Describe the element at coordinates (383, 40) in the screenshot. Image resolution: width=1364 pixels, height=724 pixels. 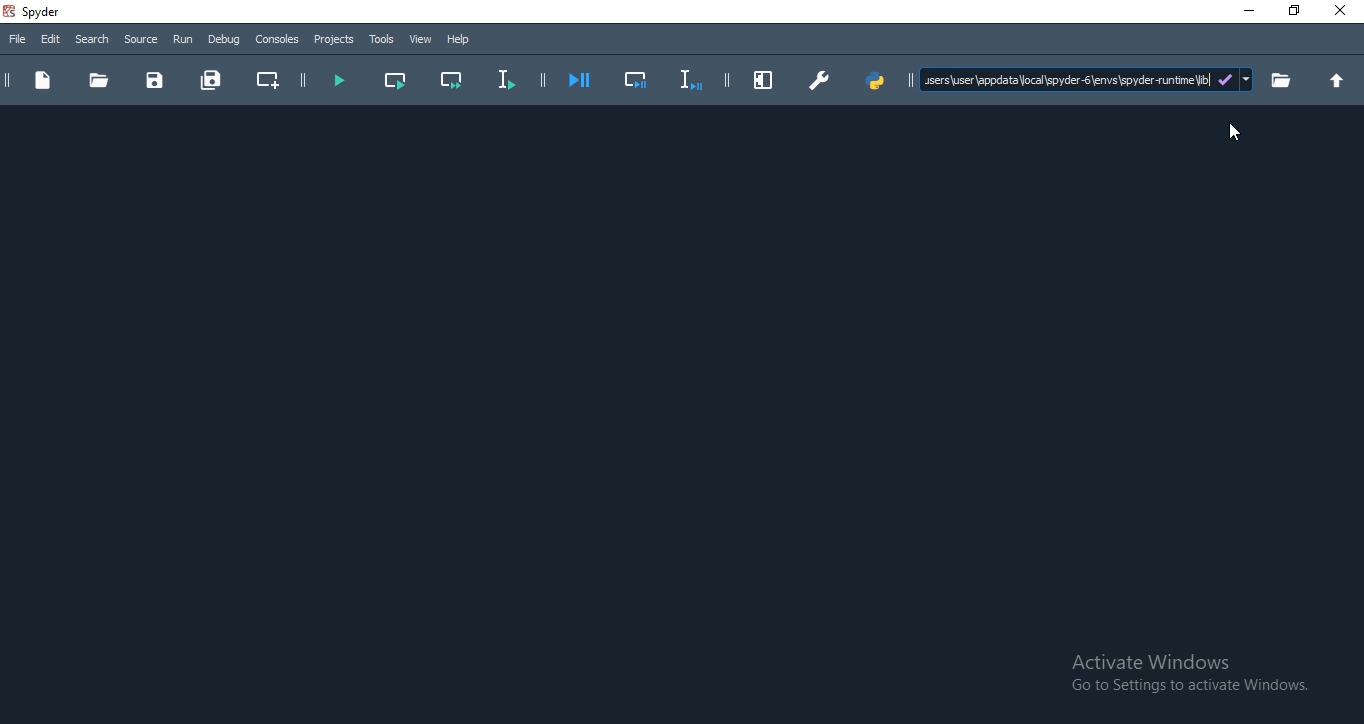
I see `Tools` at that location.